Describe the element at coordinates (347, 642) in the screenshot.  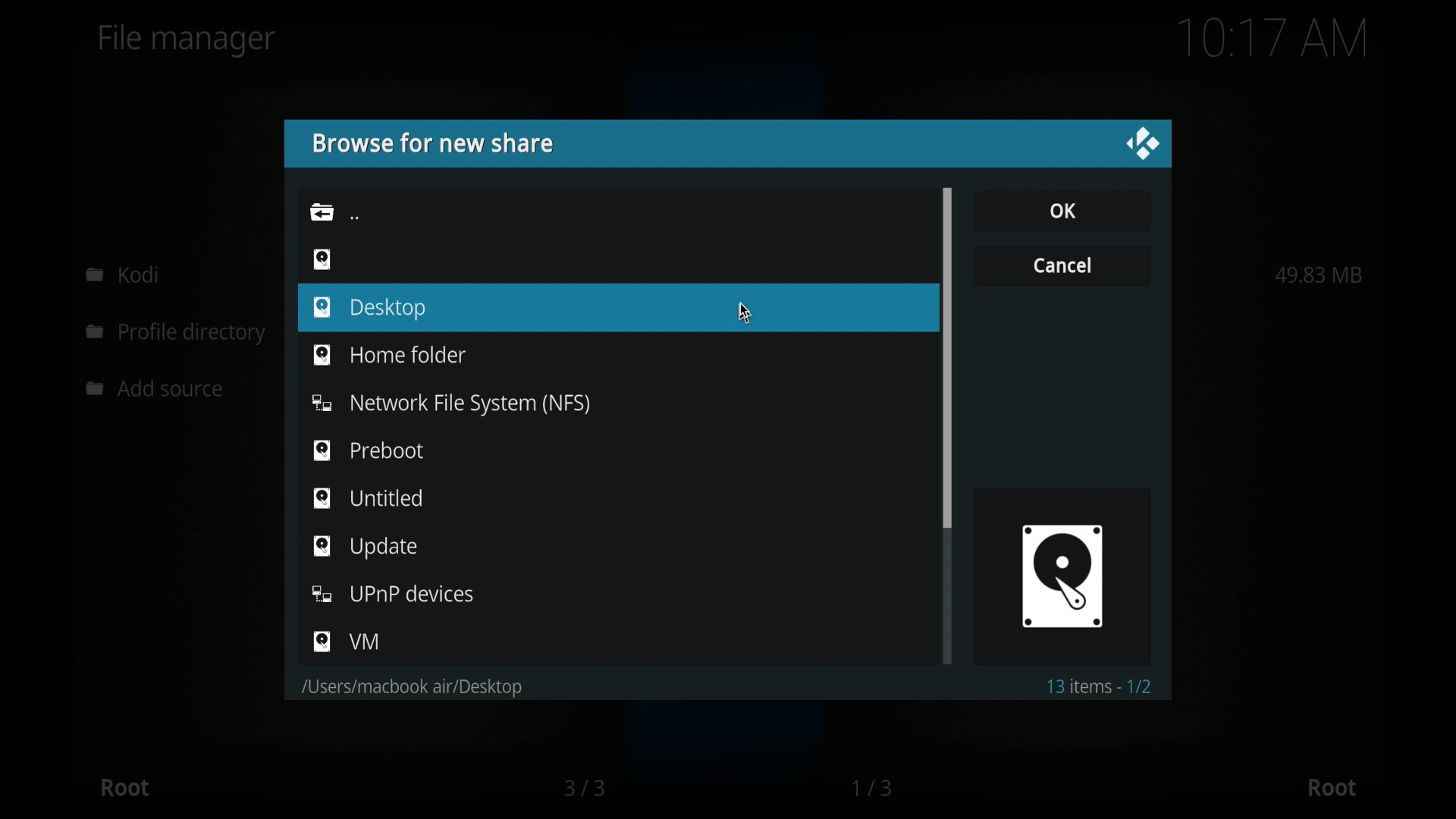
I see `VM` at that location.